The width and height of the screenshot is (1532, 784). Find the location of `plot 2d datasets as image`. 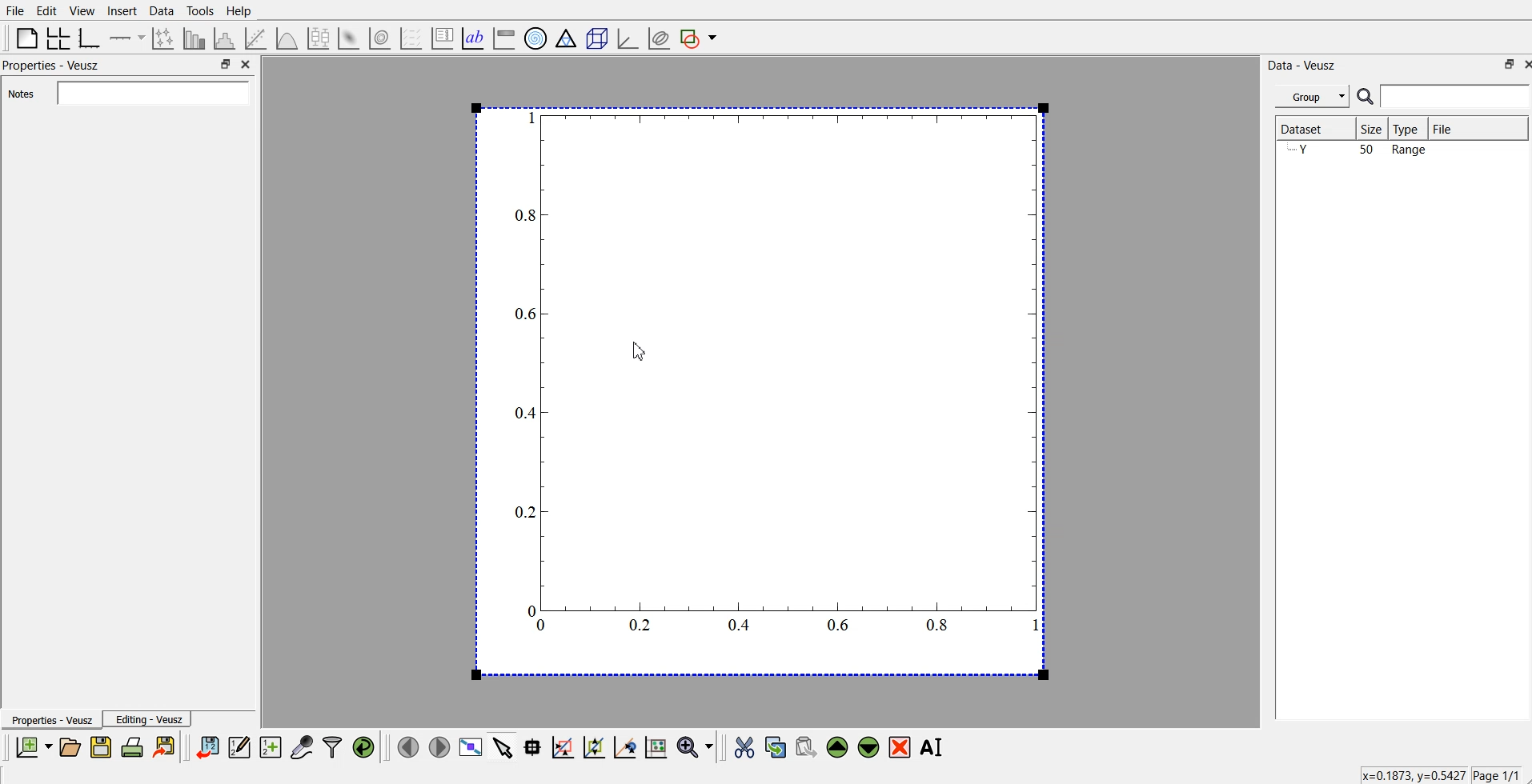

plot 2d datasets as image is located at coordinates (350, 36).